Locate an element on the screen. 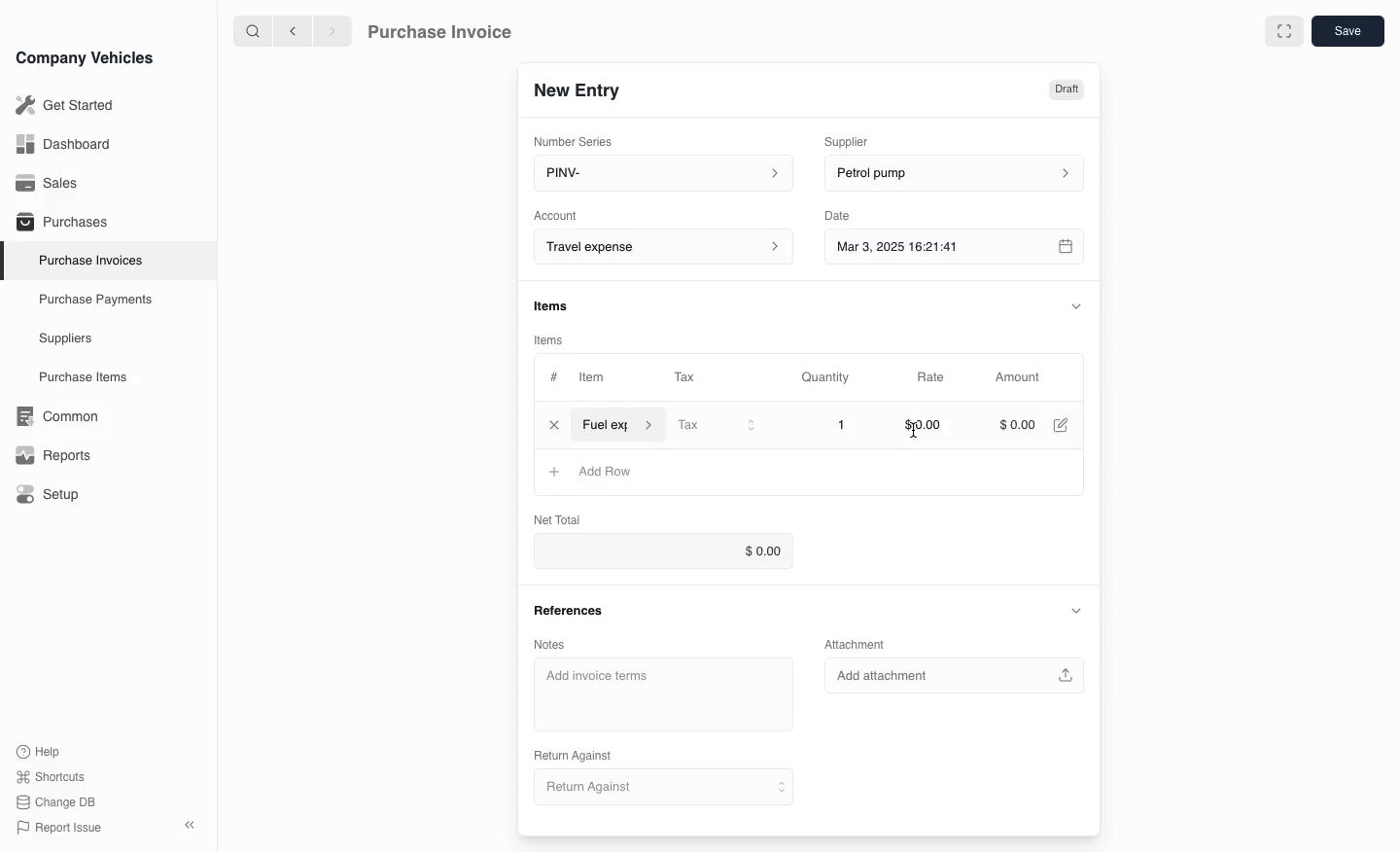  Purchase Invoices is located at coordinates (87, 260).